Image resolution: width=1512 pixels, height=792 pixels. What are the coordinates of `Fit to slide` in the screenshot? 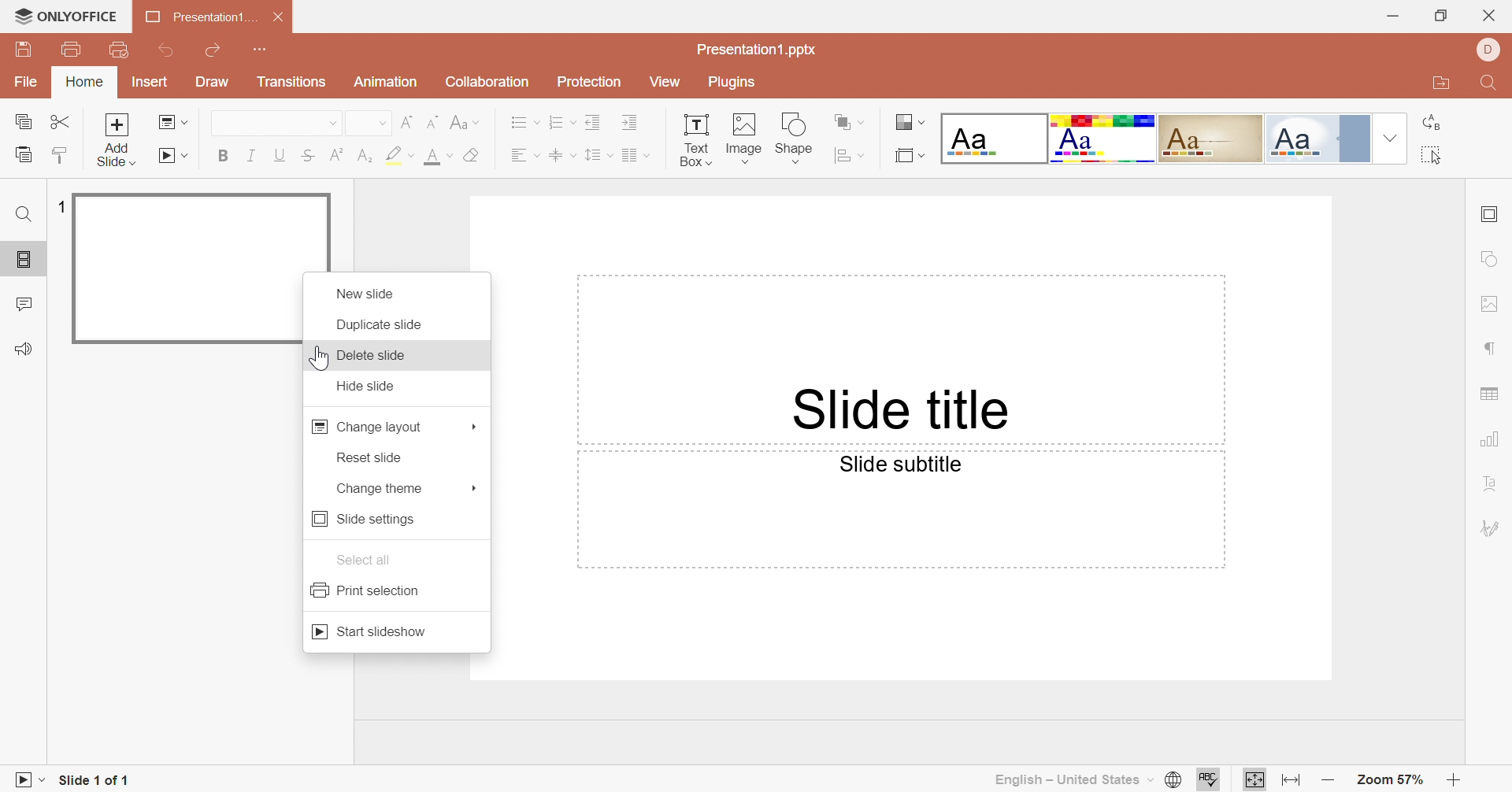 It's located at (1253, 779).